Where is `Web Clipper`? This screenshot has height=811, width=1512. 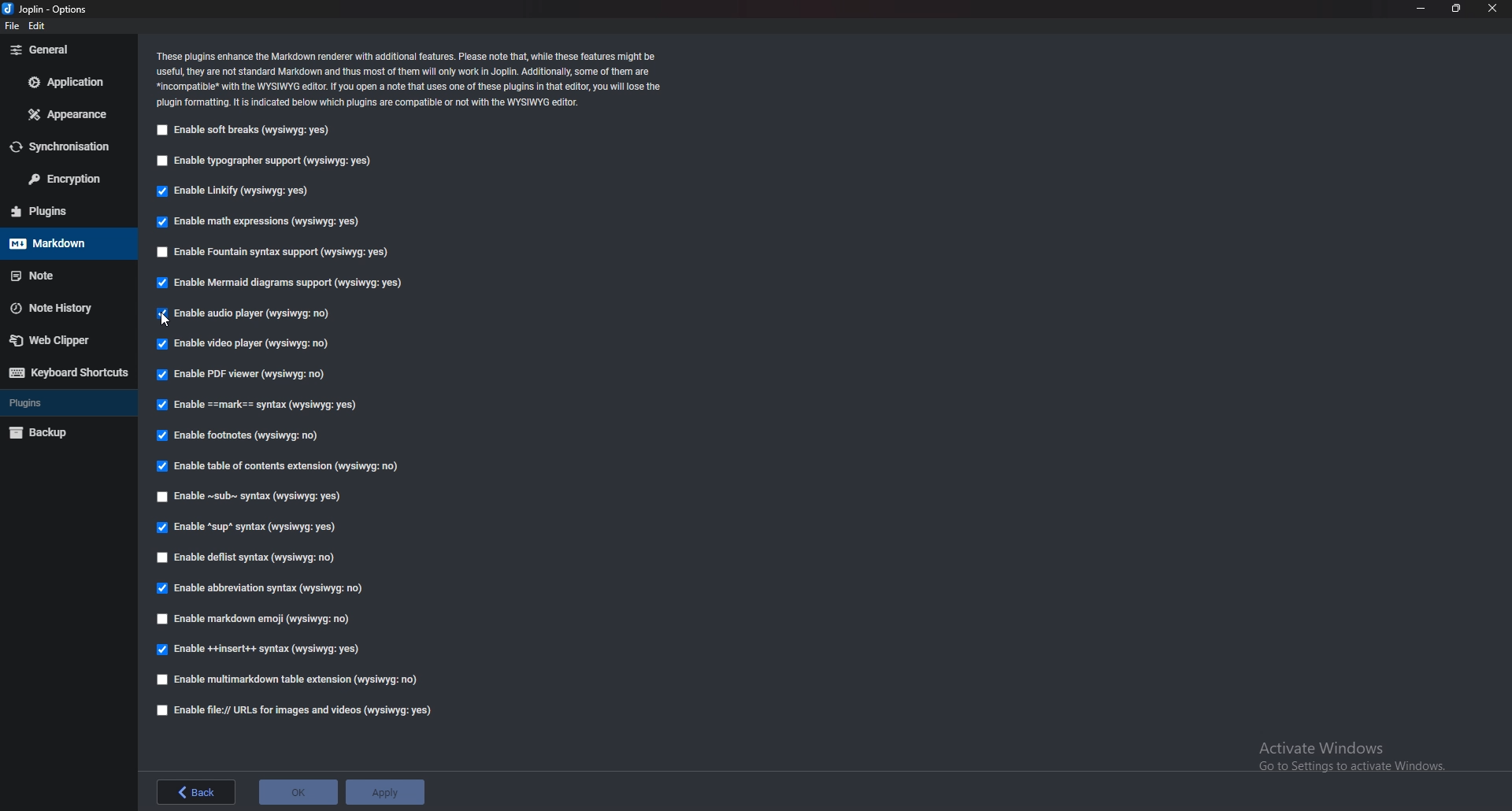 Web Clipper is located at coordinates (68, 339).